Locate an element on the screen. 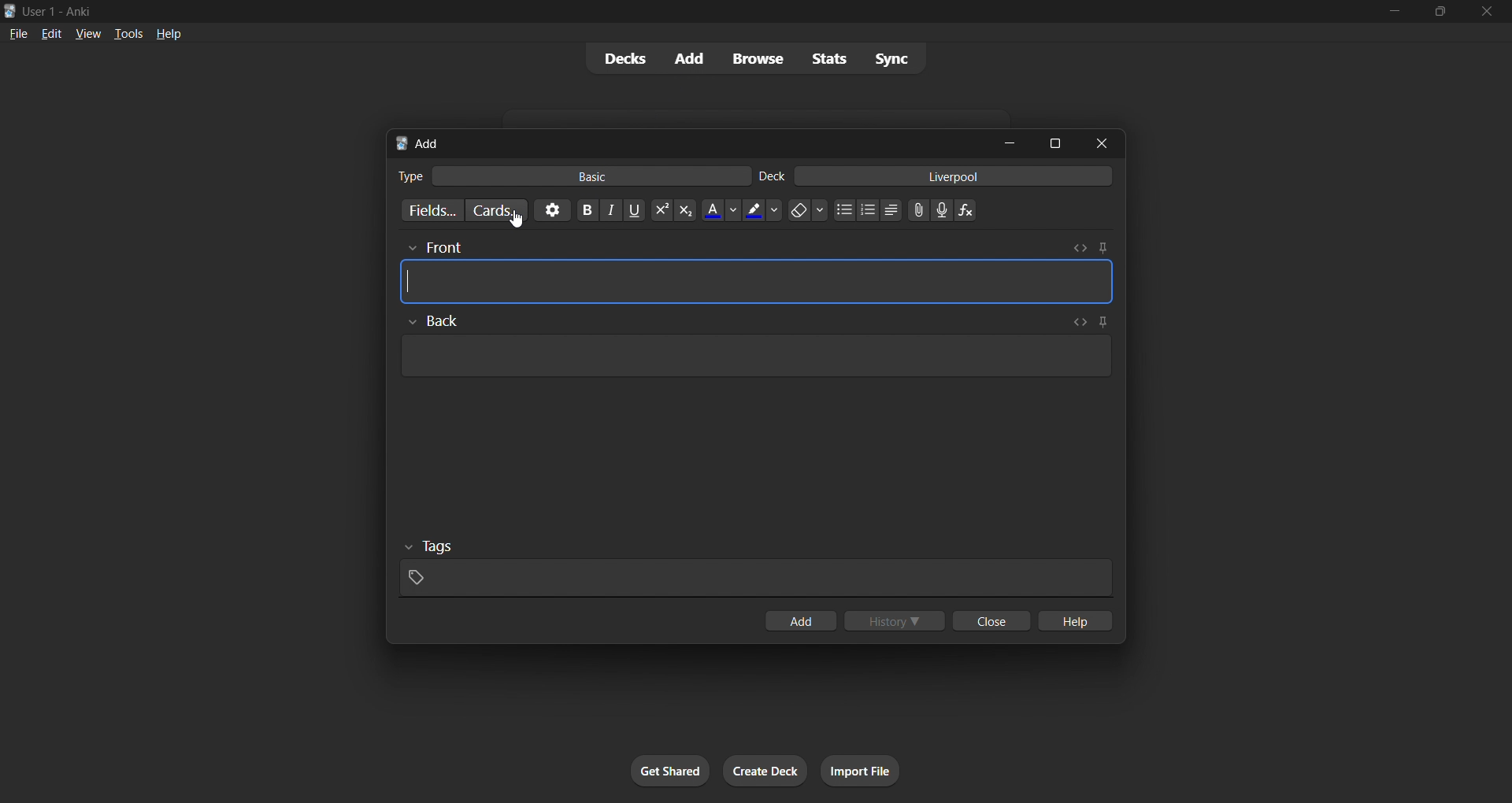  stats is located at coordinates (828, 61).